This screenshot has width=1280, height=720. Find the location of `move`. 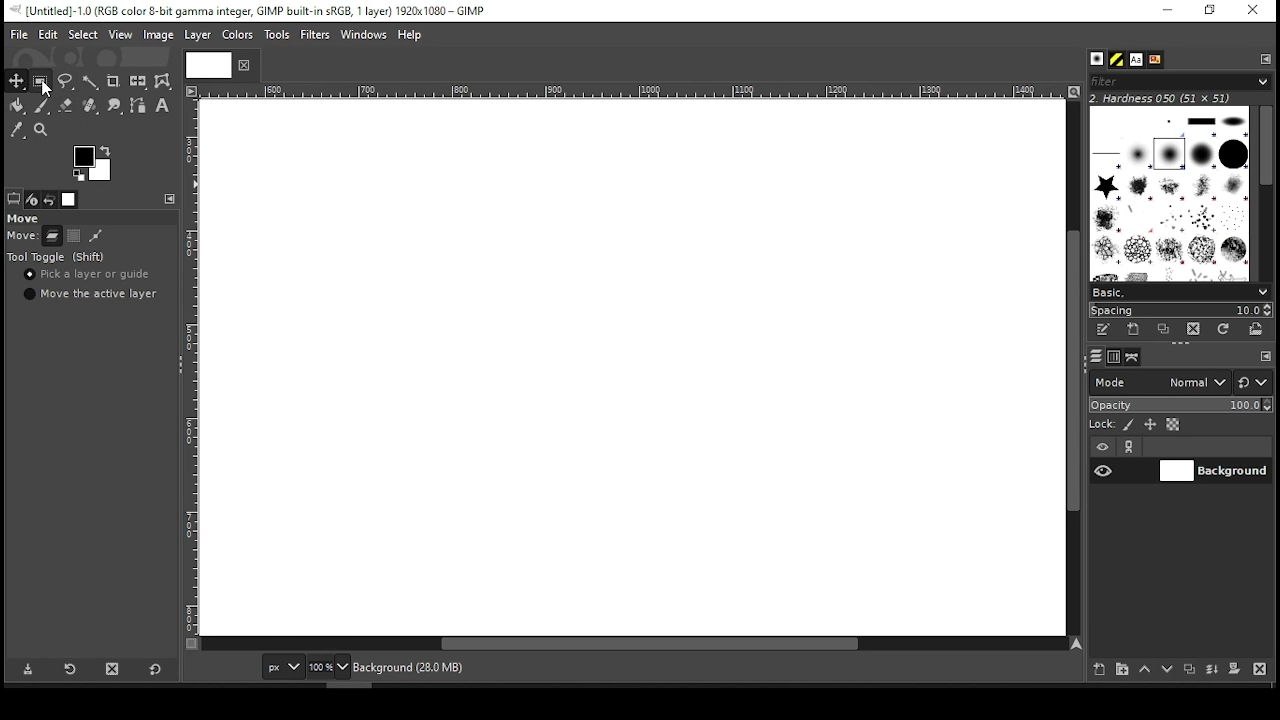

move is located at coordinates (24, 218).